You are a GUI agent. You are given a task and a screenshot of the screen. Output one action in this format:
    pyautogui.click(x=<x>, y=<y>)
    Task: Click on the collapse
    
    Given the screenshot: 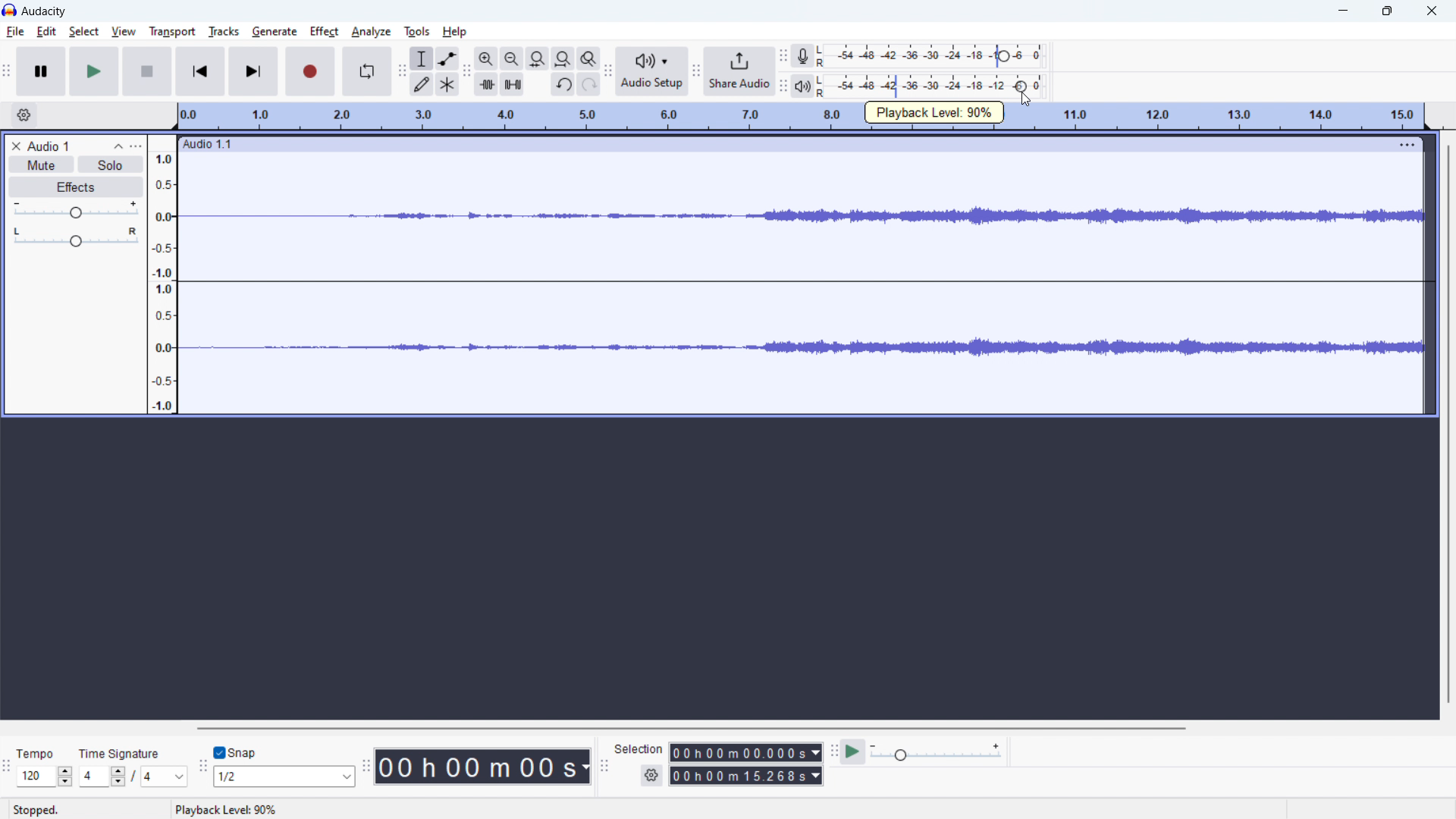 What is the action you would take?
    pyautogui.click(x=118, y=146)
    